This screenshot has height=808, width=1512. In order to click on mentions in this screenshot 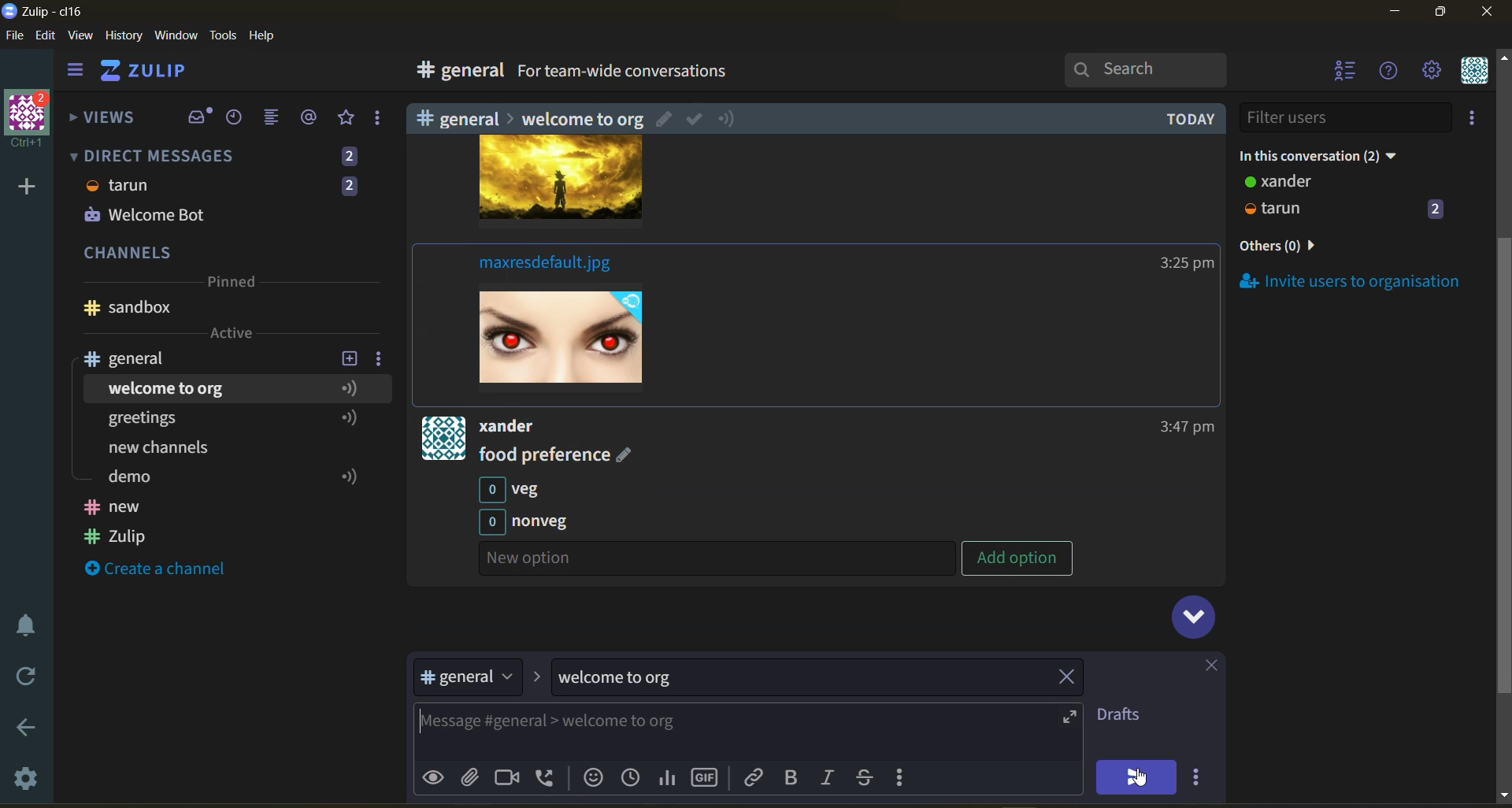, I will do `click(312, 117)`.